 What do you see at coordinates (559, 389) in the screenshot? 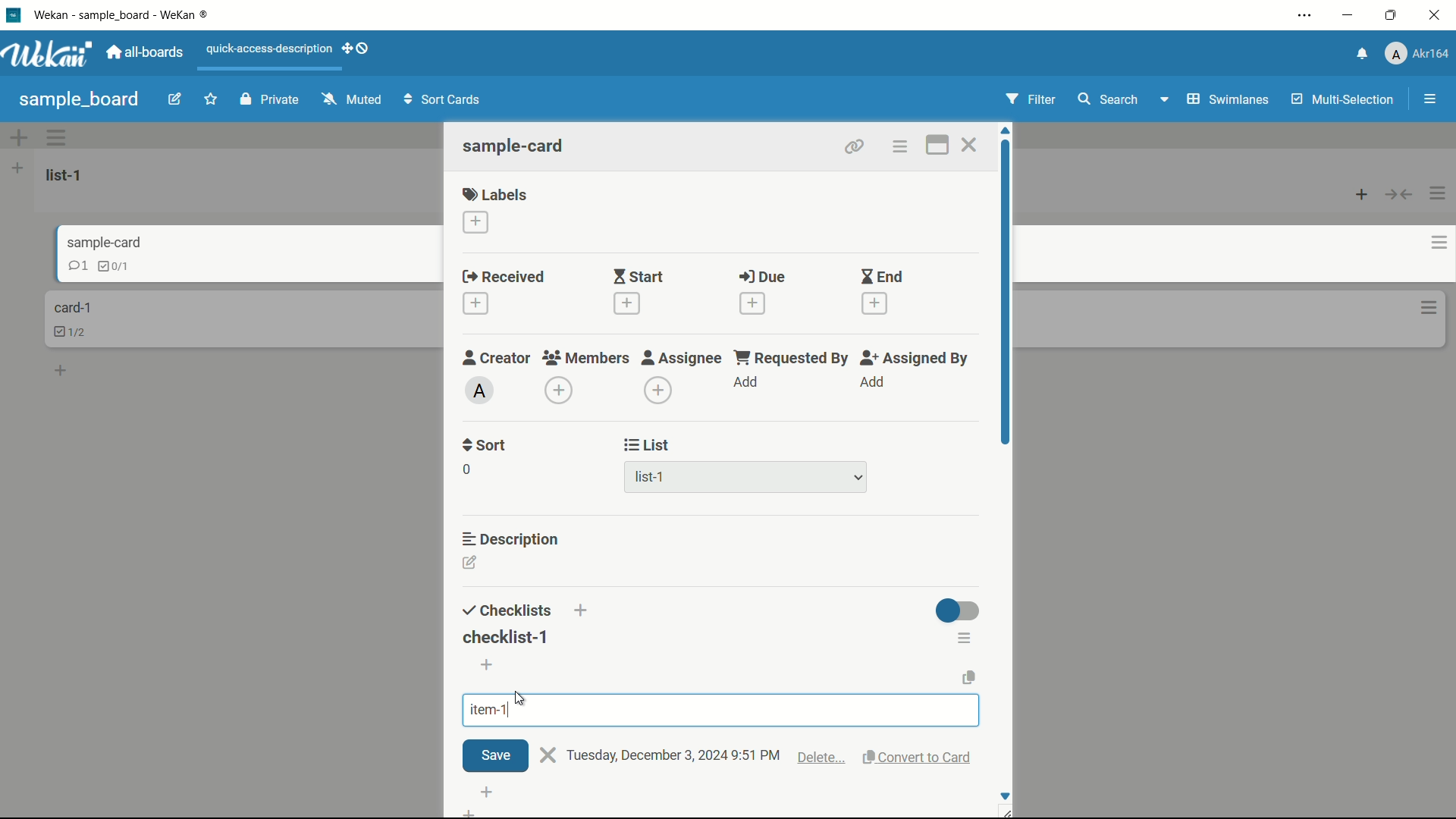
I see `add members` at bounding box center [559, 389].